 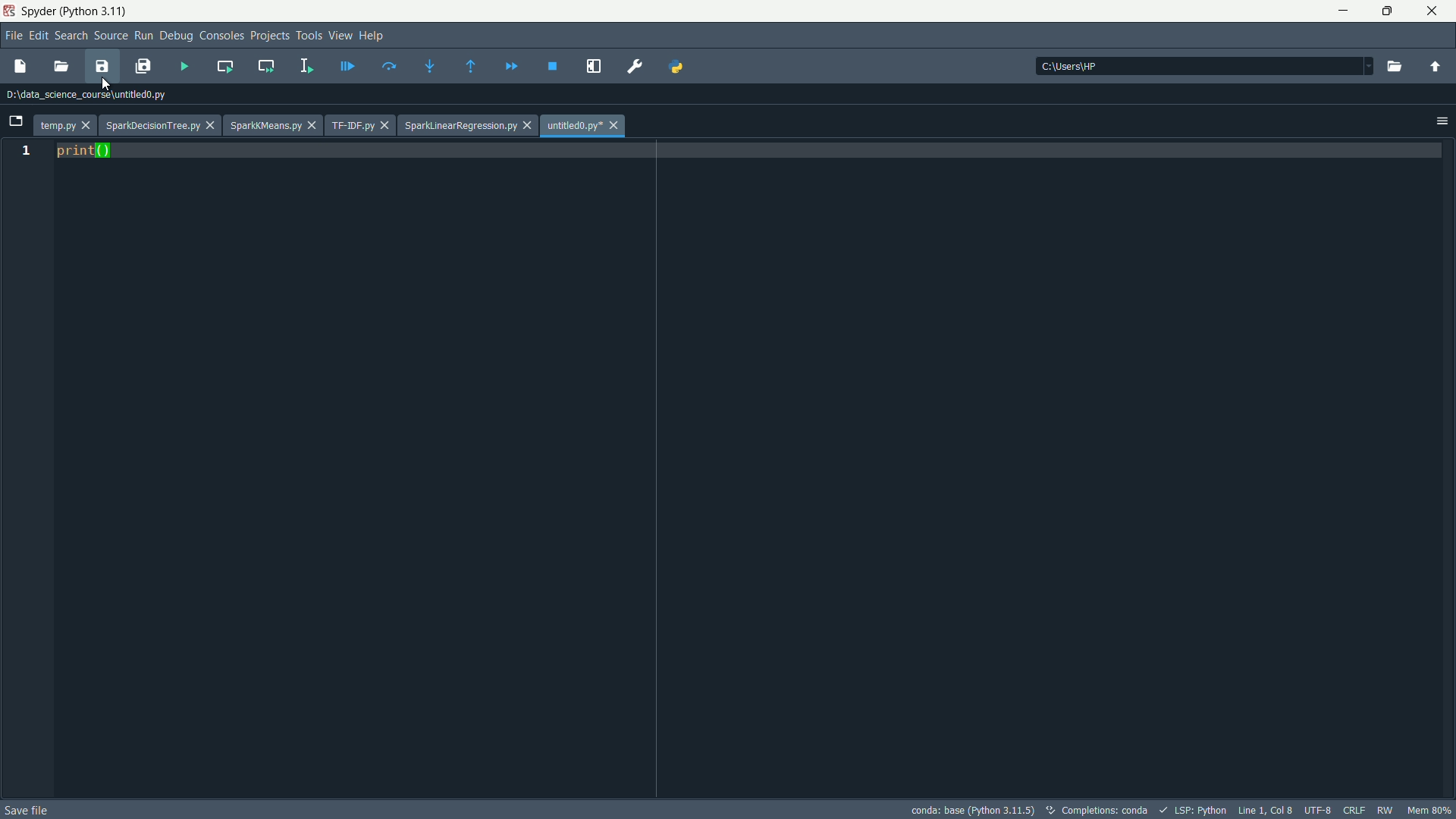 What do you see at coordinates (20, 66) in the screenshot?
I see `new file` at bounding box center [20, 66].